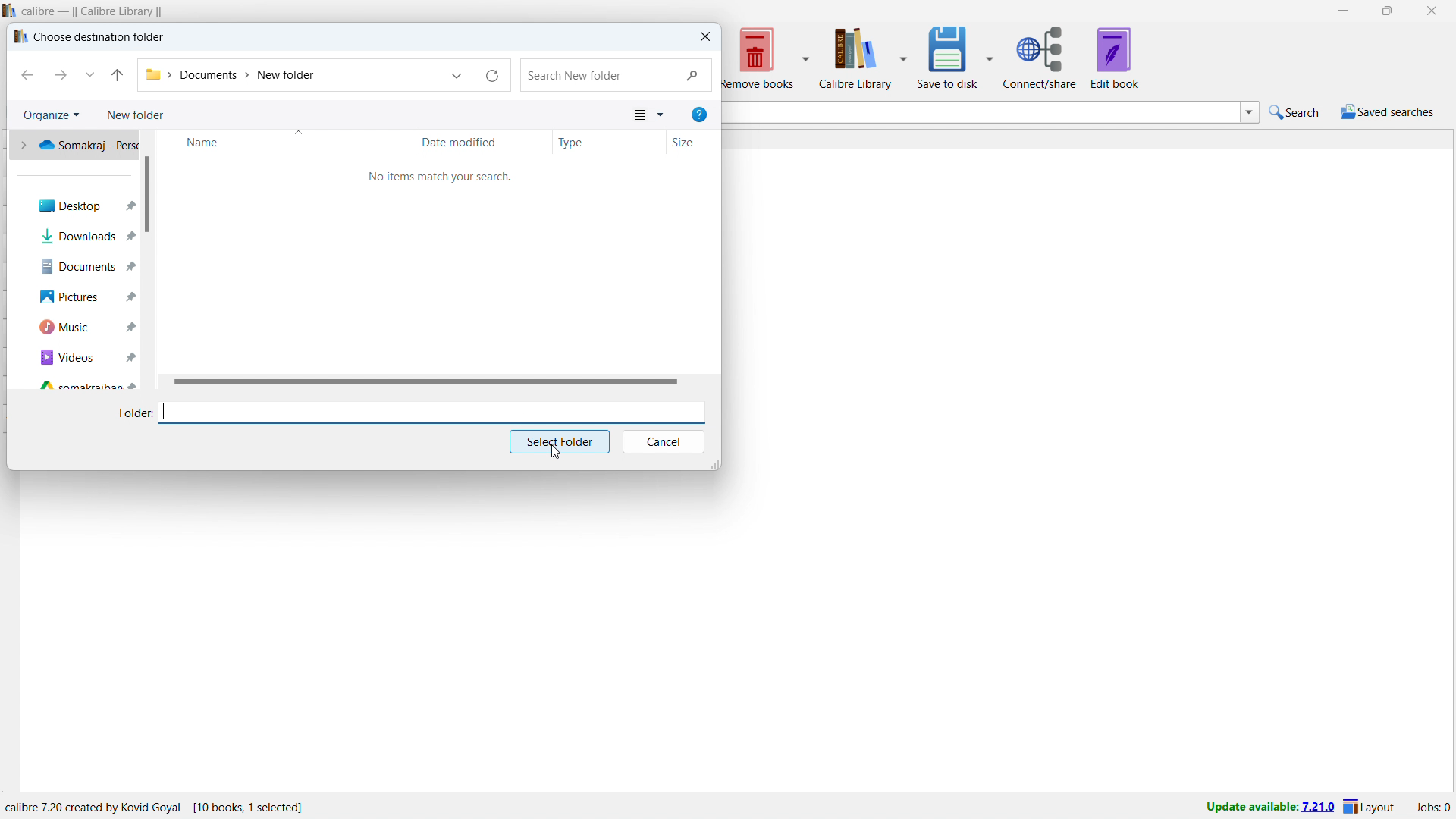  I want to click on uodate, so click(1267, 808).